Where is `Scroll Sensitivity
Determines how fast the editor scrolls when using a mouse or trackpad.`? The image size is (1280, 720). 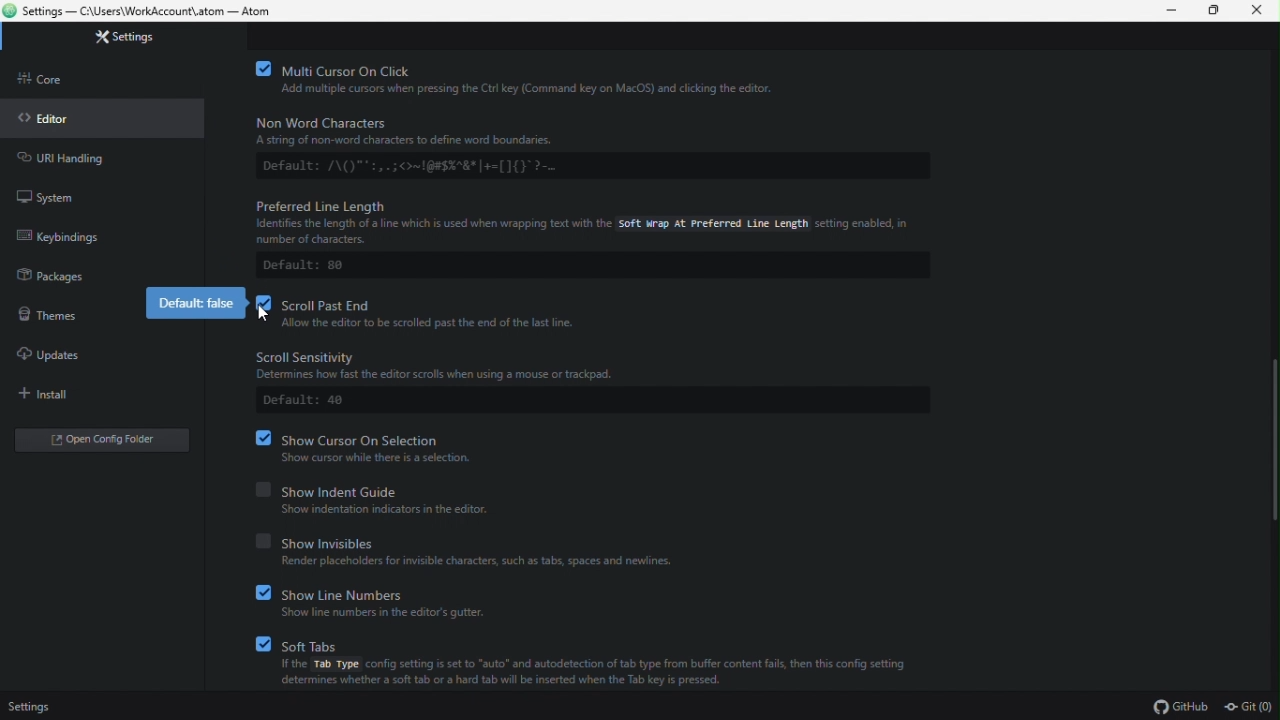
Scroll Sensitivity
Determines how fast the editor scrolls when using a mouse or trackpad. is located at coordinates (476, 365).